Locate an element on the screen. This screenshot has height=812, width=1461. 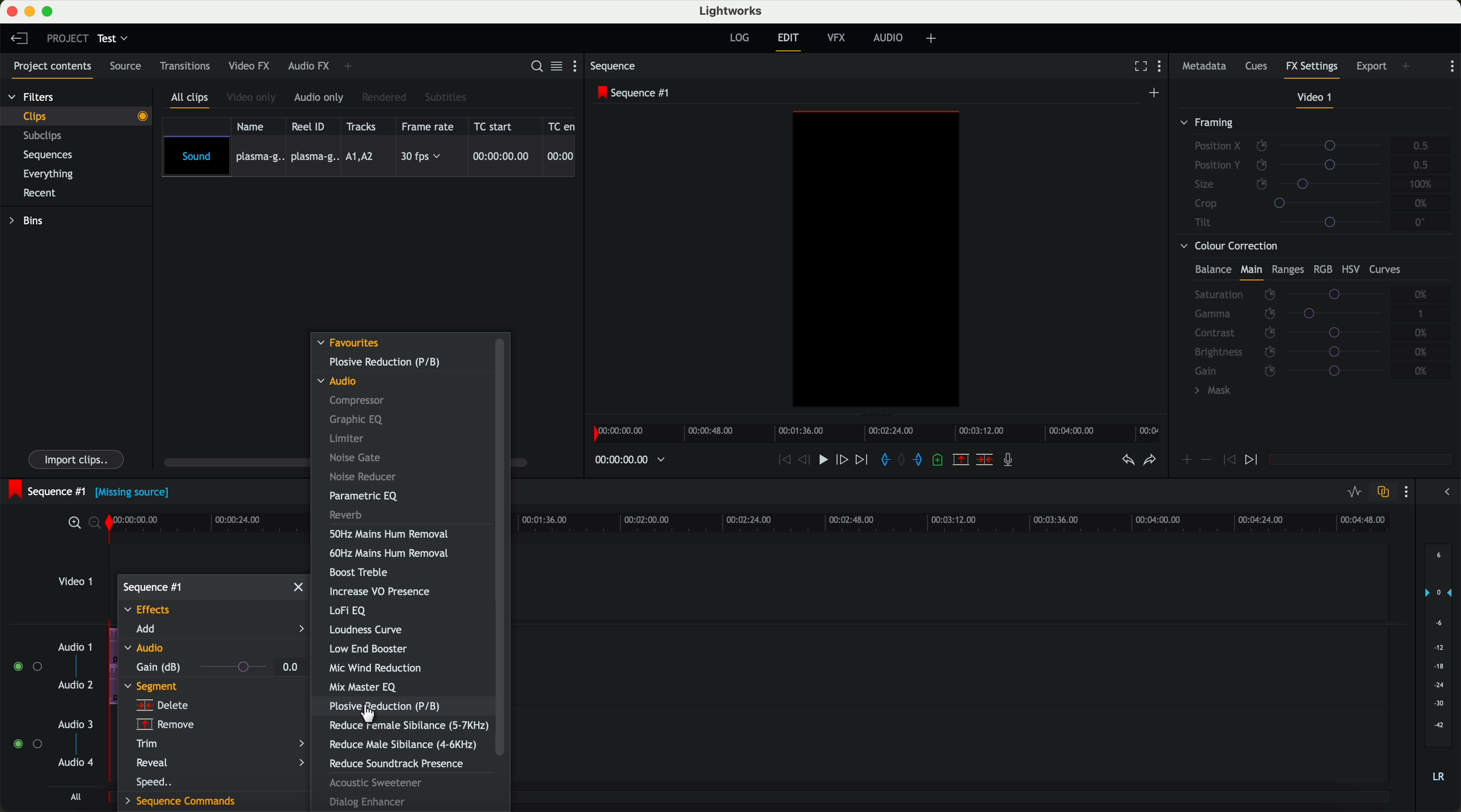
jump to previous keyframe is located at coordinates (1230, 463).